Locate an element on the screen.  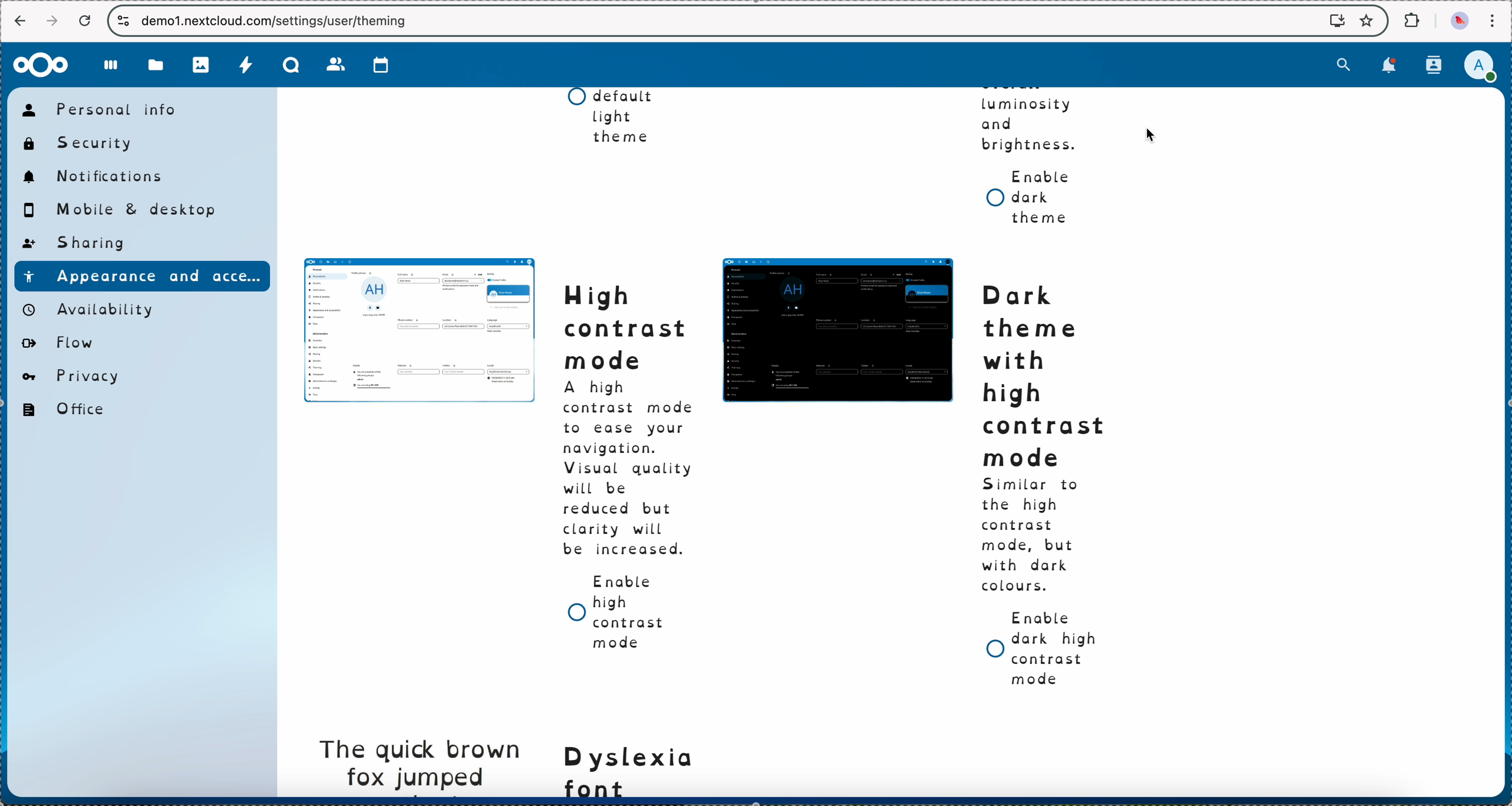
refresh the page is located at coordinates (86, 21).